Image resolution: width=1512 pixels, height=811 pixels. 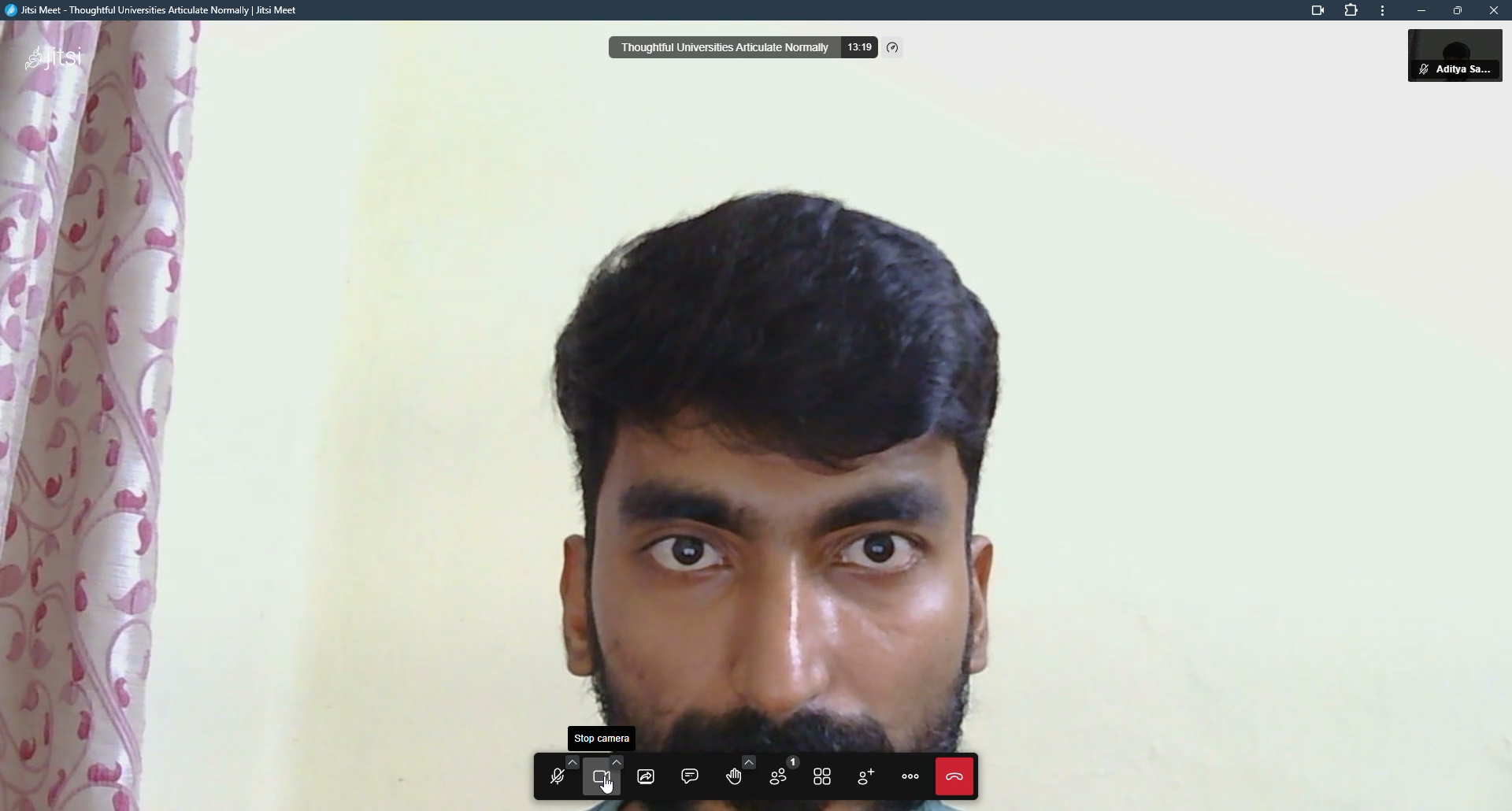 What do you see at coordinates (891, 47) in the screenshot?
I see `performance settings` at bounding box center [891, 47].